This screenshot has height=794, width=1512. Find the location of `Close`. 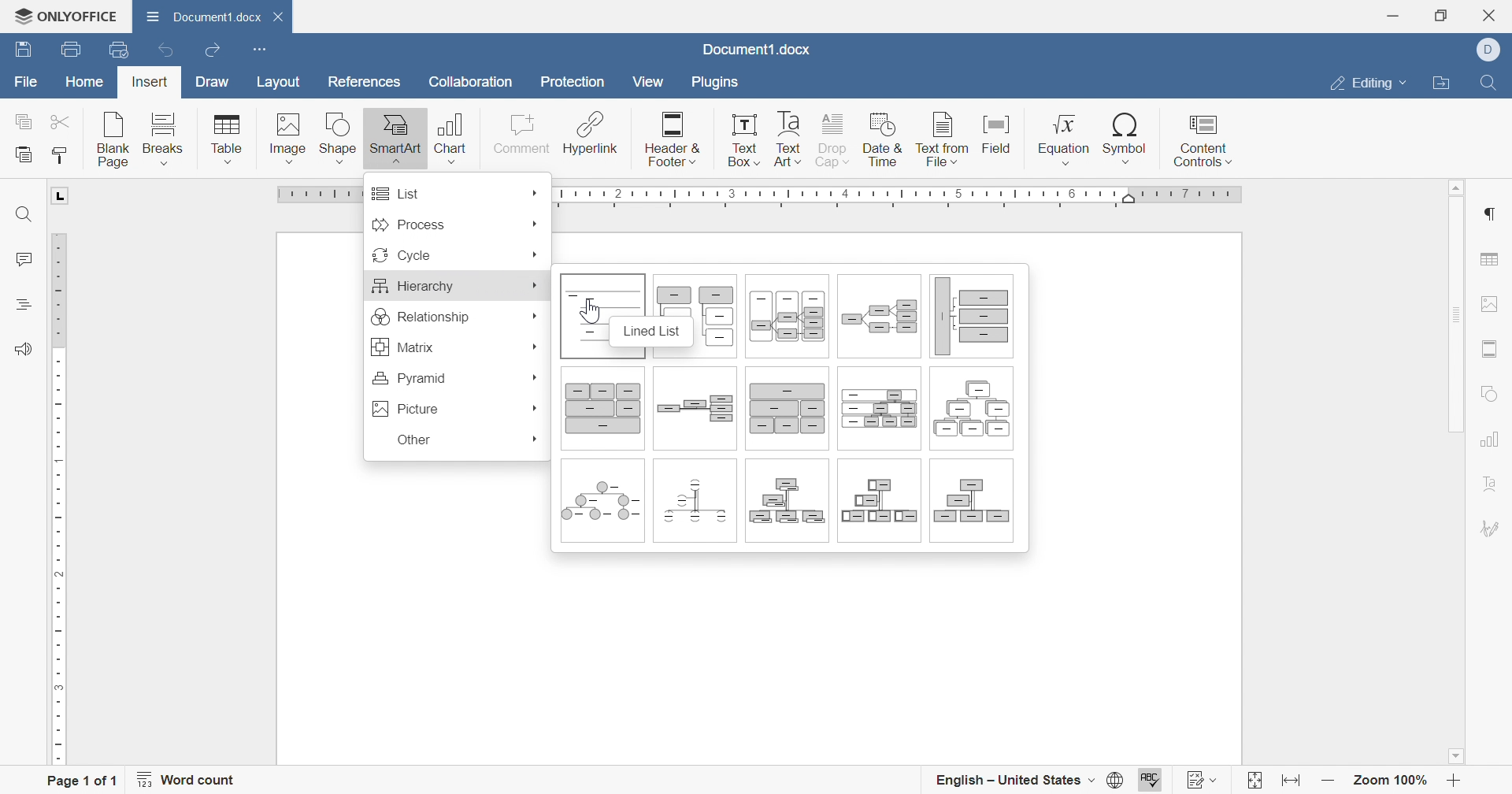

Close is located at coordinates (282, 15).